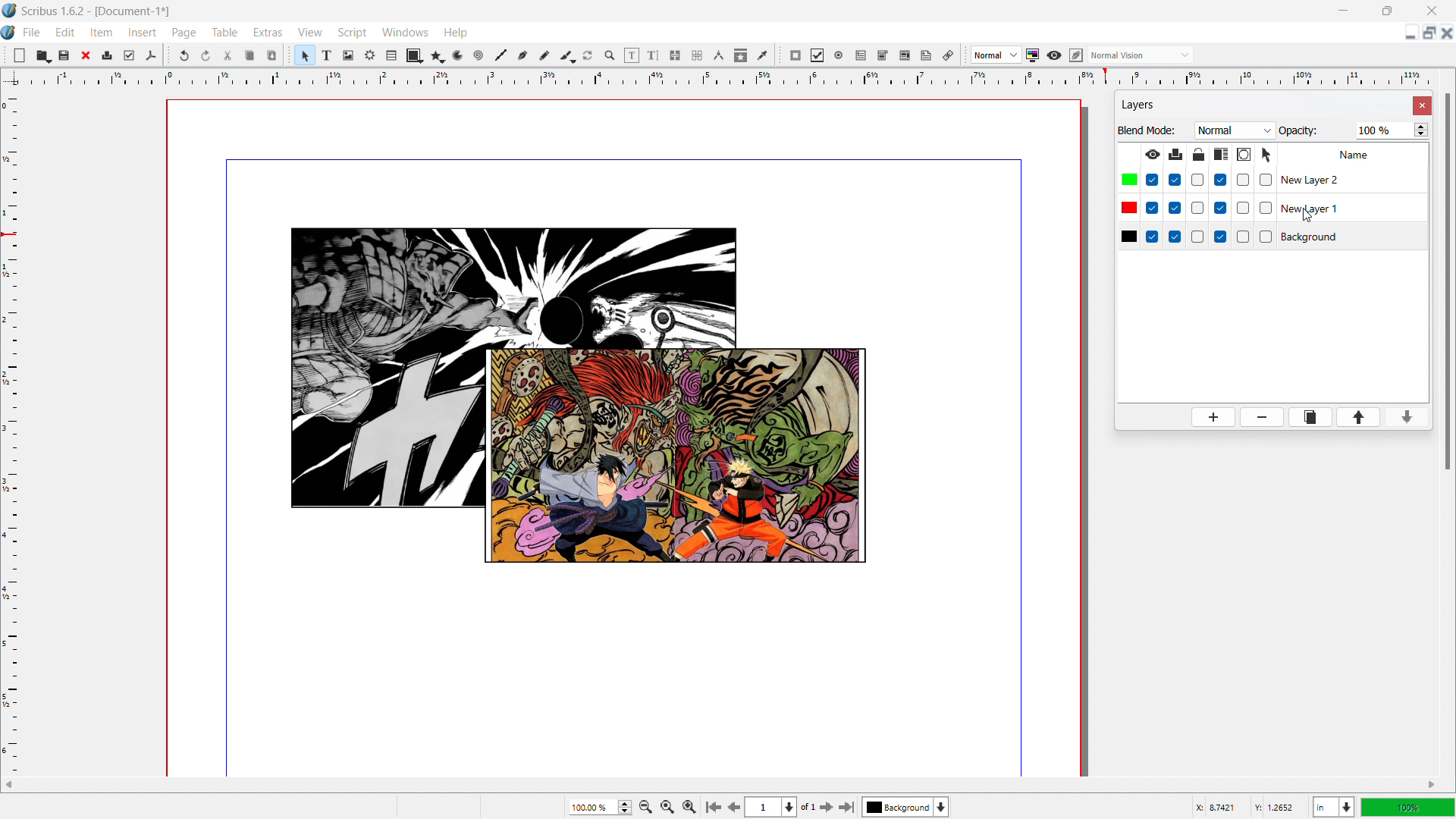 This screenshot has height=819, width=1456. What do you see at coordinates (1447, 33) in the screenshot?
I see `close document` at bounding box center [1447, 33].